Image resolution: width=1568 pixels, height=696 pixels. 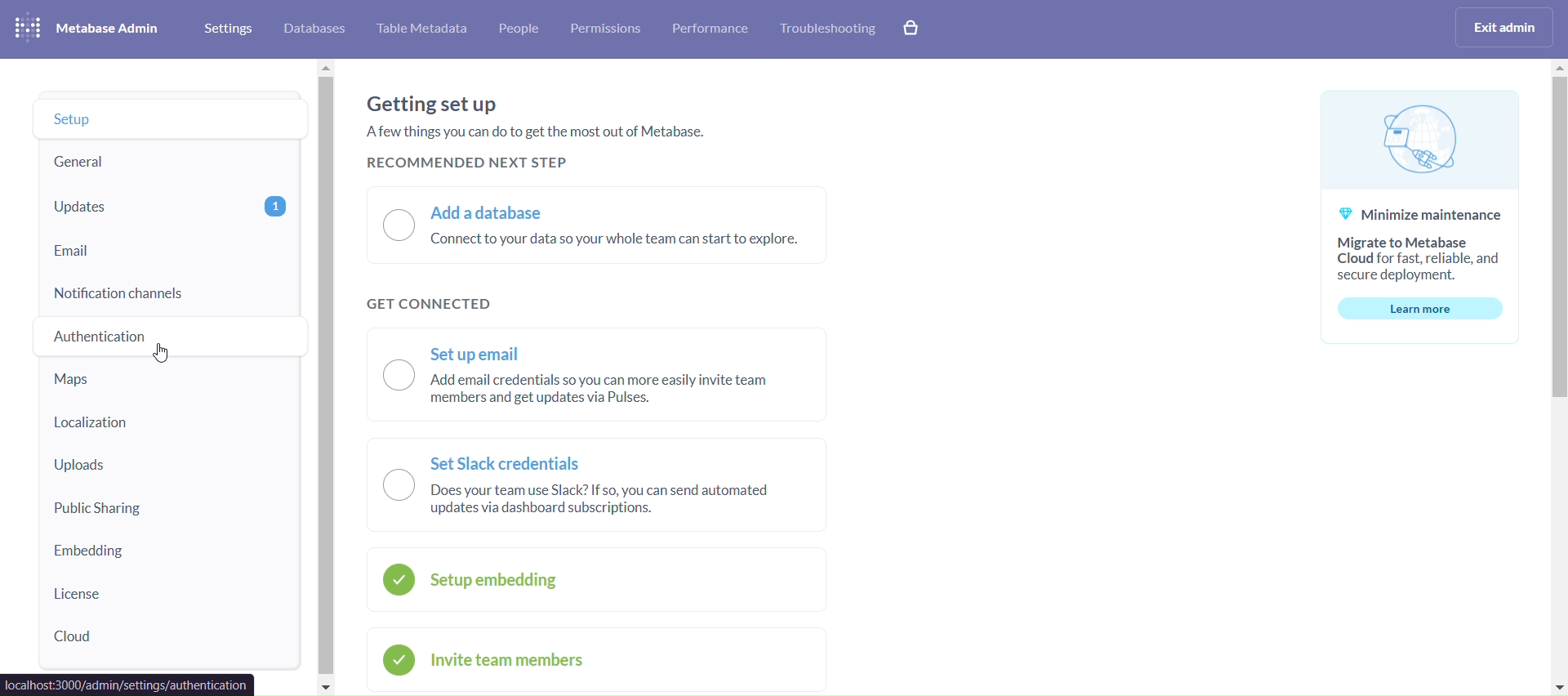 What do you see at coordinates (167, 381) in the screenshot?
I see `maps` at bounding box center [167, 381].